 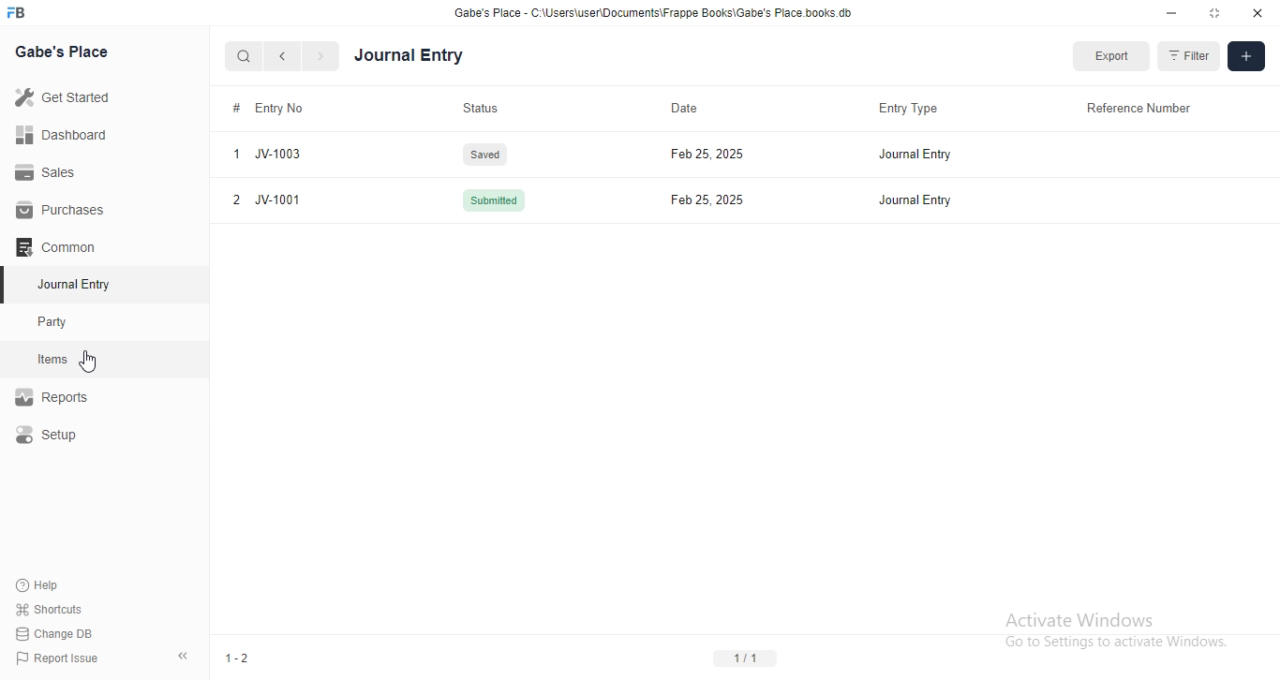 I want to click on JV-1001, so click(x=276, y=199).